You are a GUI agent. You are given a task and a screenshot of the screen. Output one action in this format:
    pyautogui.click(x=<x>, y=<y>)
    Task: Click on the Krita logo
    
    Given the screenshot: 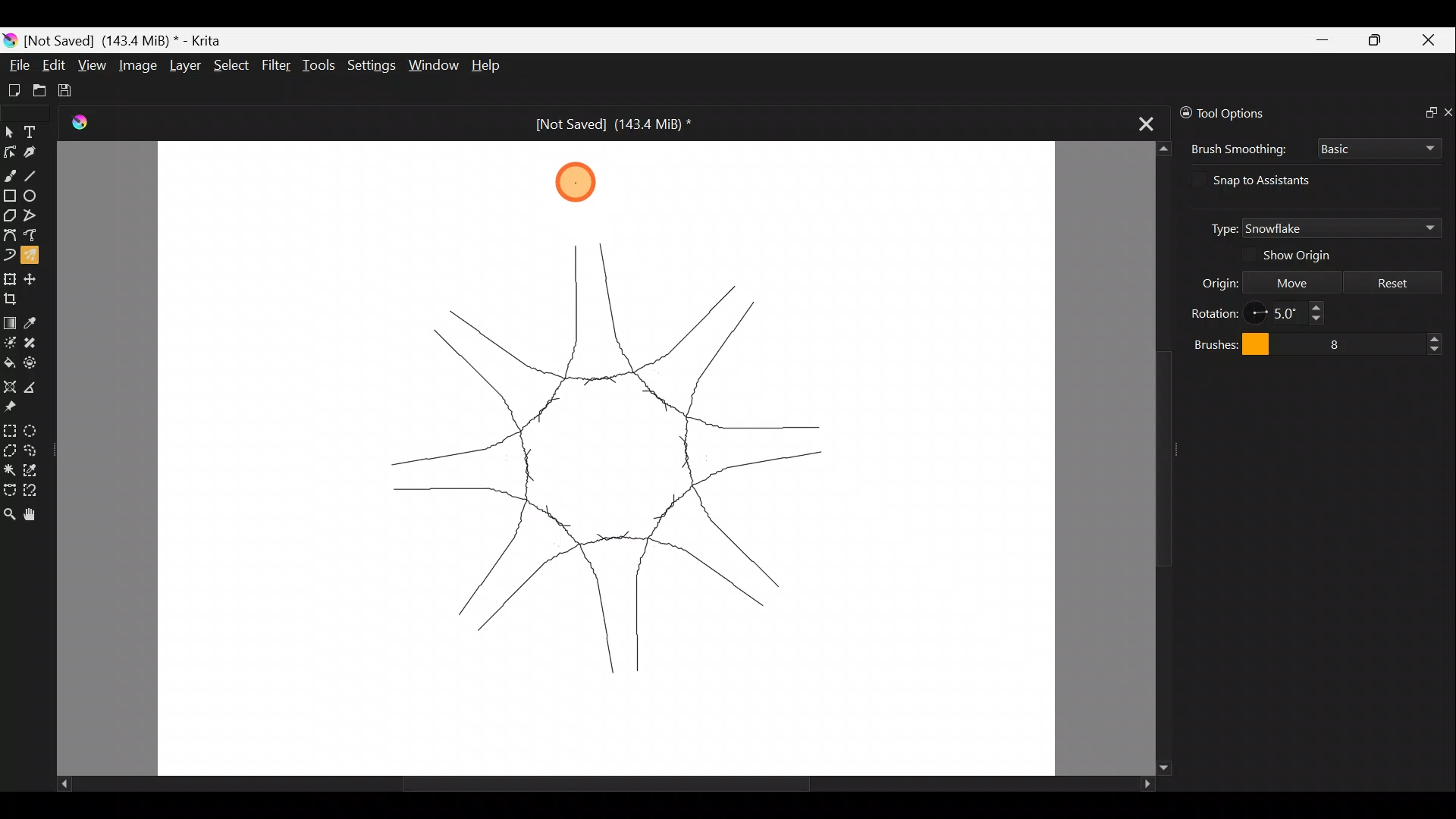 What is the action you would take?
    pyautogui.click(x=10, y=42)
    